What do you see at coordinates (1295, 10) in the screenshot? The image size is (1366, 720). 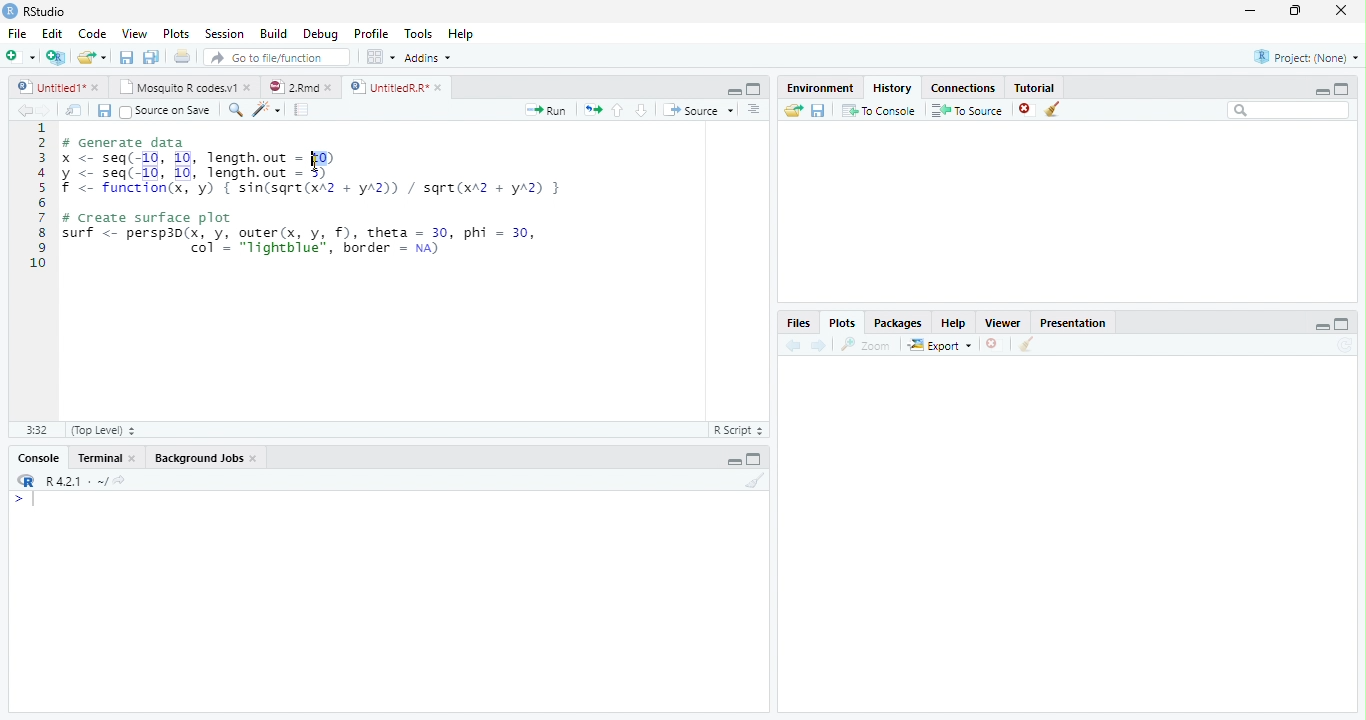 I see `restore` at bounding box center [1295, 10].